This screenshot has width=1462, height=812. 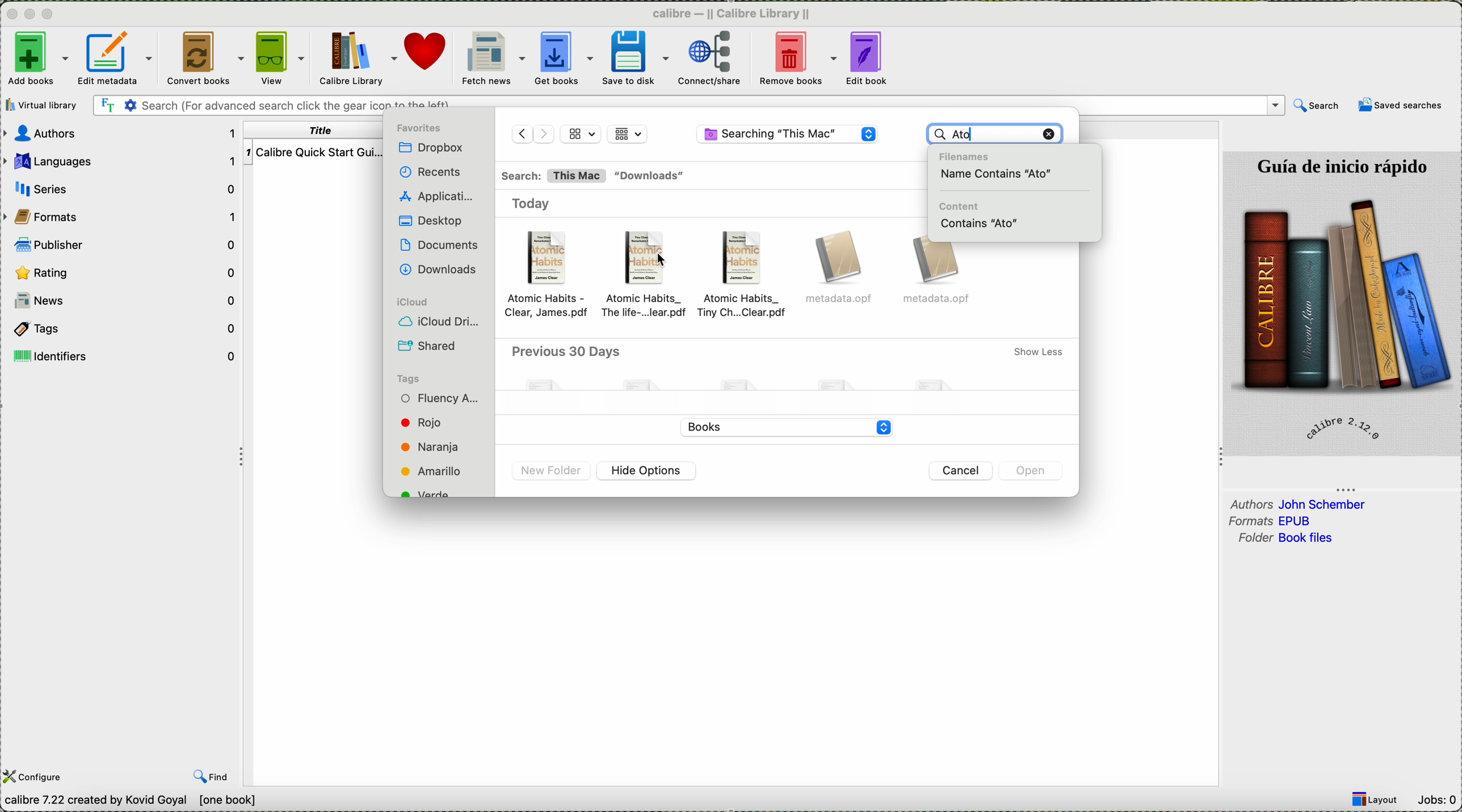 I want to click on folder, so click(x=1288, y=539).